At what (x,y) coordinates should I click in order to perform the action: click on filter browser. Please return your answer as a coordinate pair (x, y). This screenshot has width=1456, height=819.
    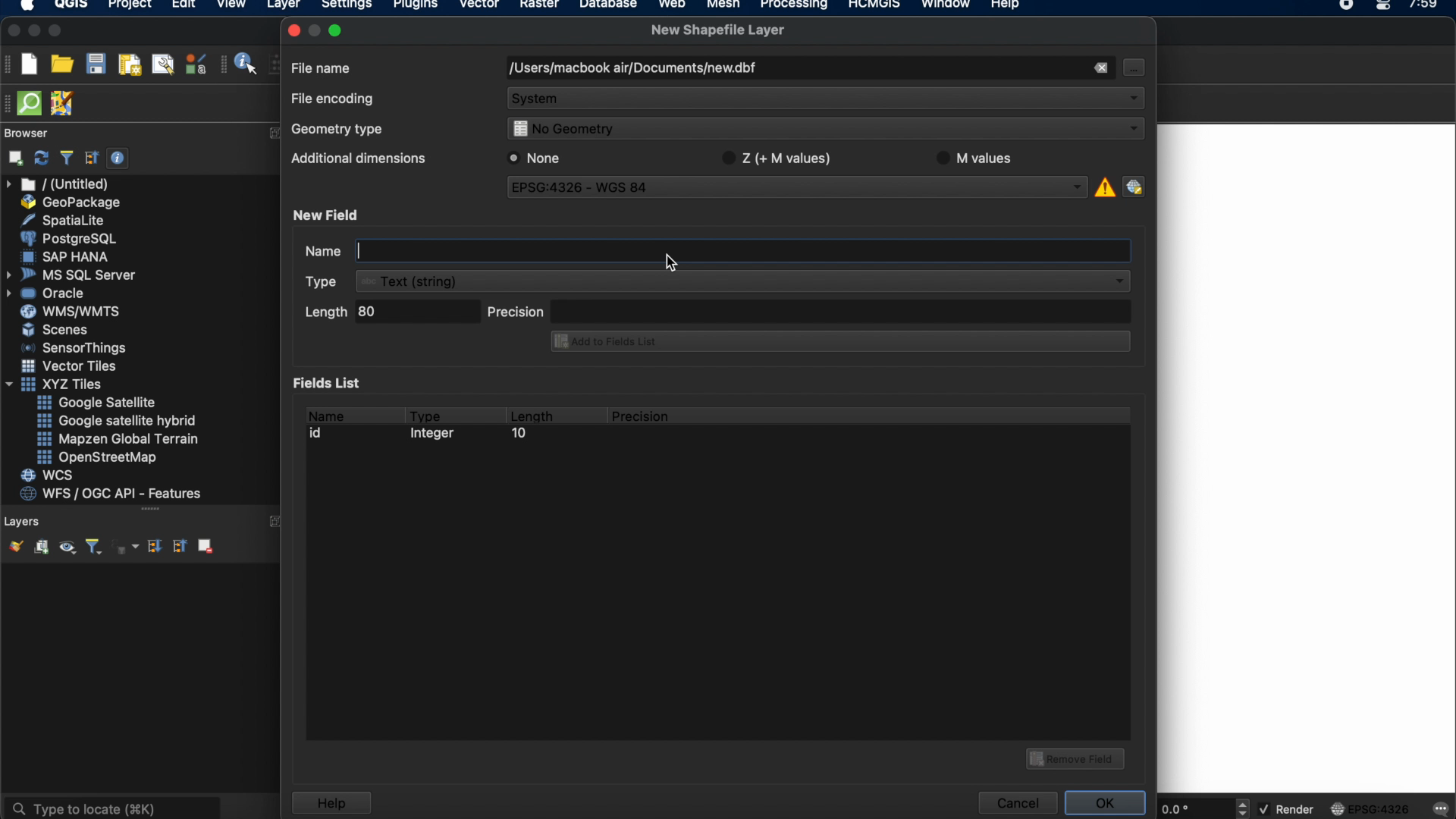
    Looking at the image, I should click on (66, 158).